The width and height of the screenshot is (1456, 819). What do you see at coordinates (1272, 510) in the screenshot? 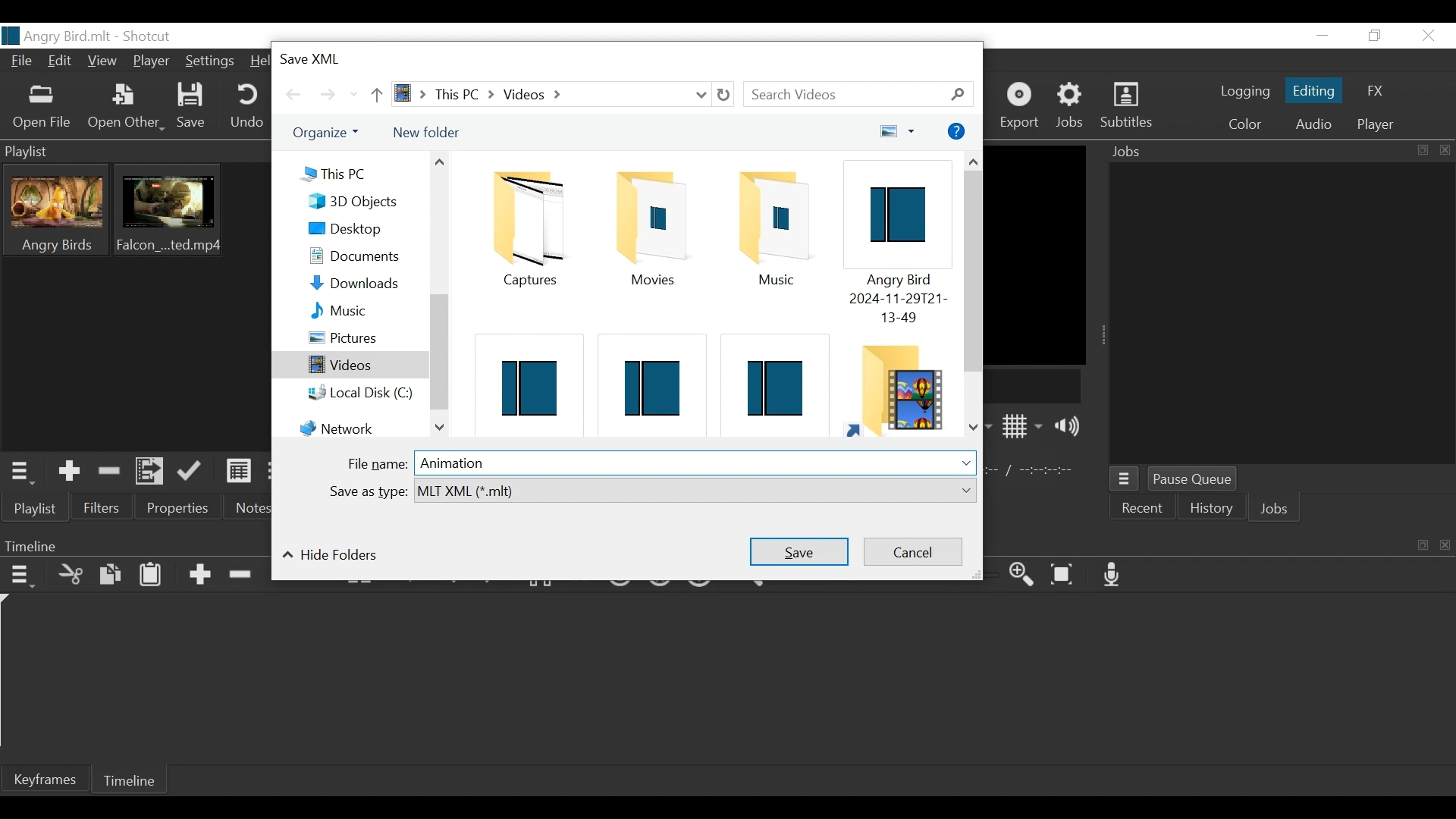
I see `Jobs` at bounding box center [1272, 510].